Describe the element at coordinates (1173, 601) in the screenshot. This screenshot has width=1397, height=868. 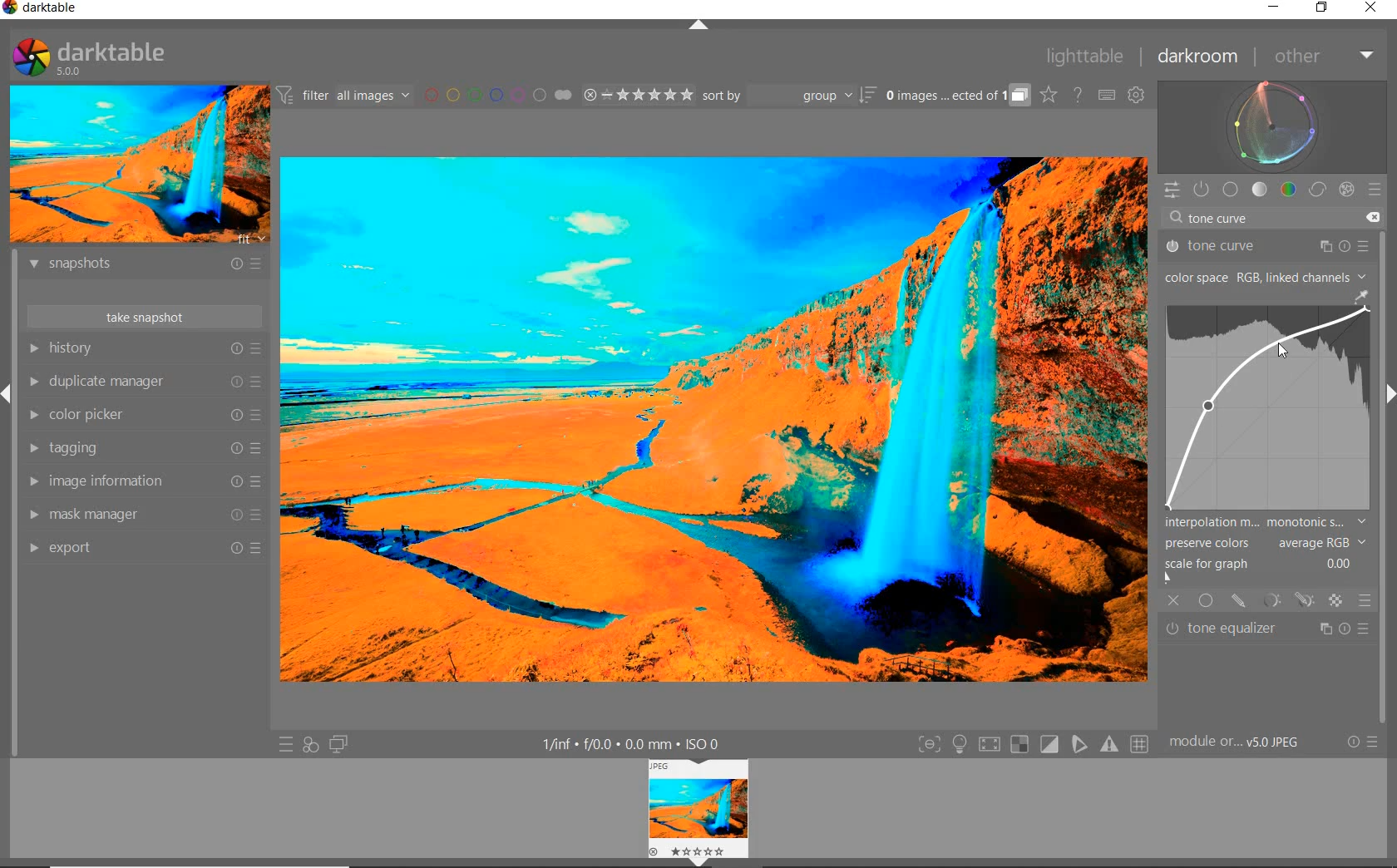
I see `OFF` at that location.